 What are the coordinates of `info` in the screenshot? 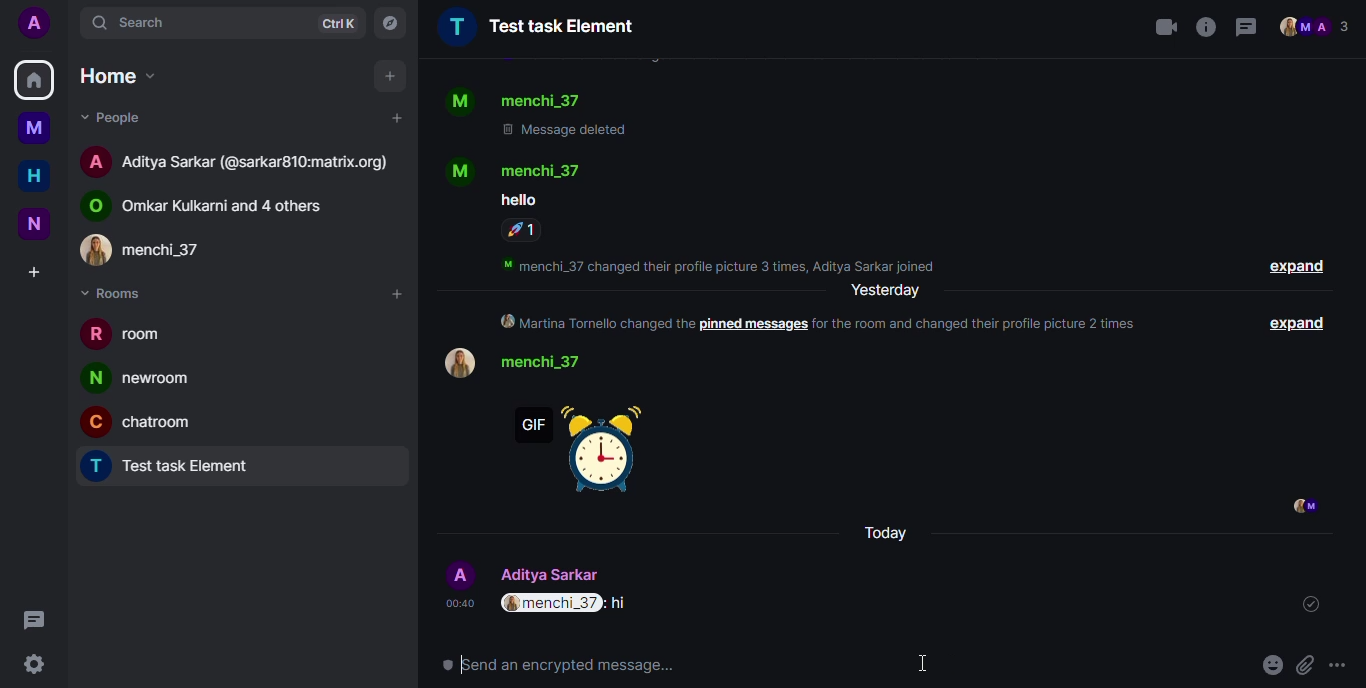 It's located at (594, 134).